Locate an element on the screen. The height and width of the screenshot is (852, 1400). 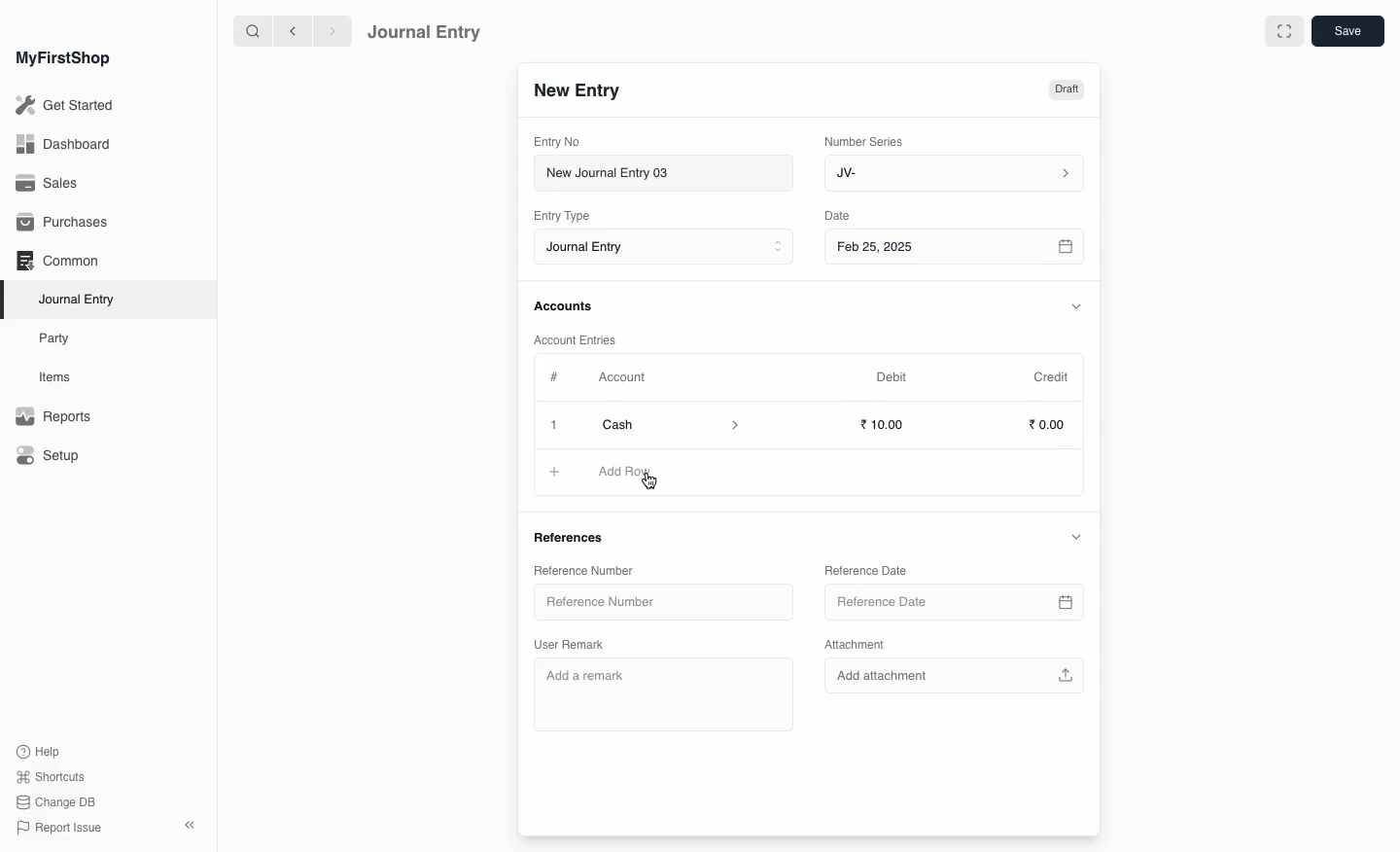
0.00 is located at coordinates (1048, 427).